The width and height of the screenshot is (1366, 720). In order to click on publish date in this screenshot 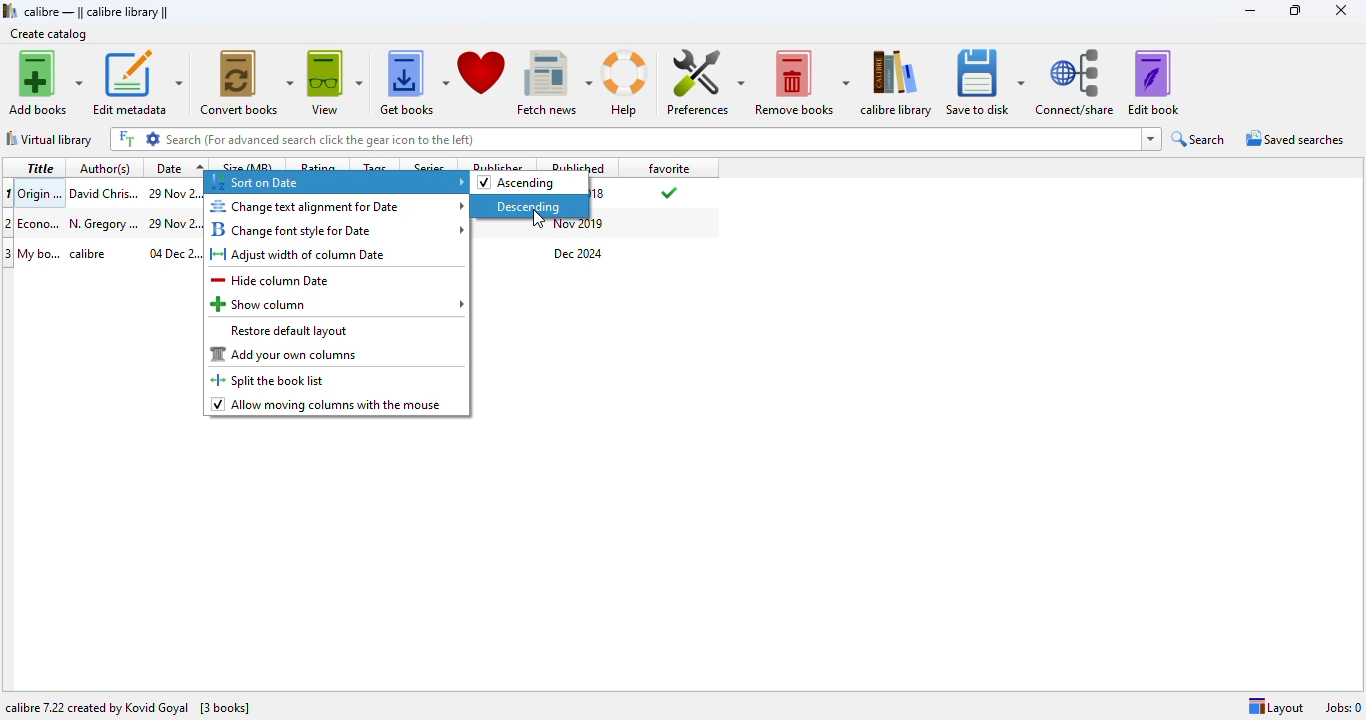, I will do `click(580, 225)`.